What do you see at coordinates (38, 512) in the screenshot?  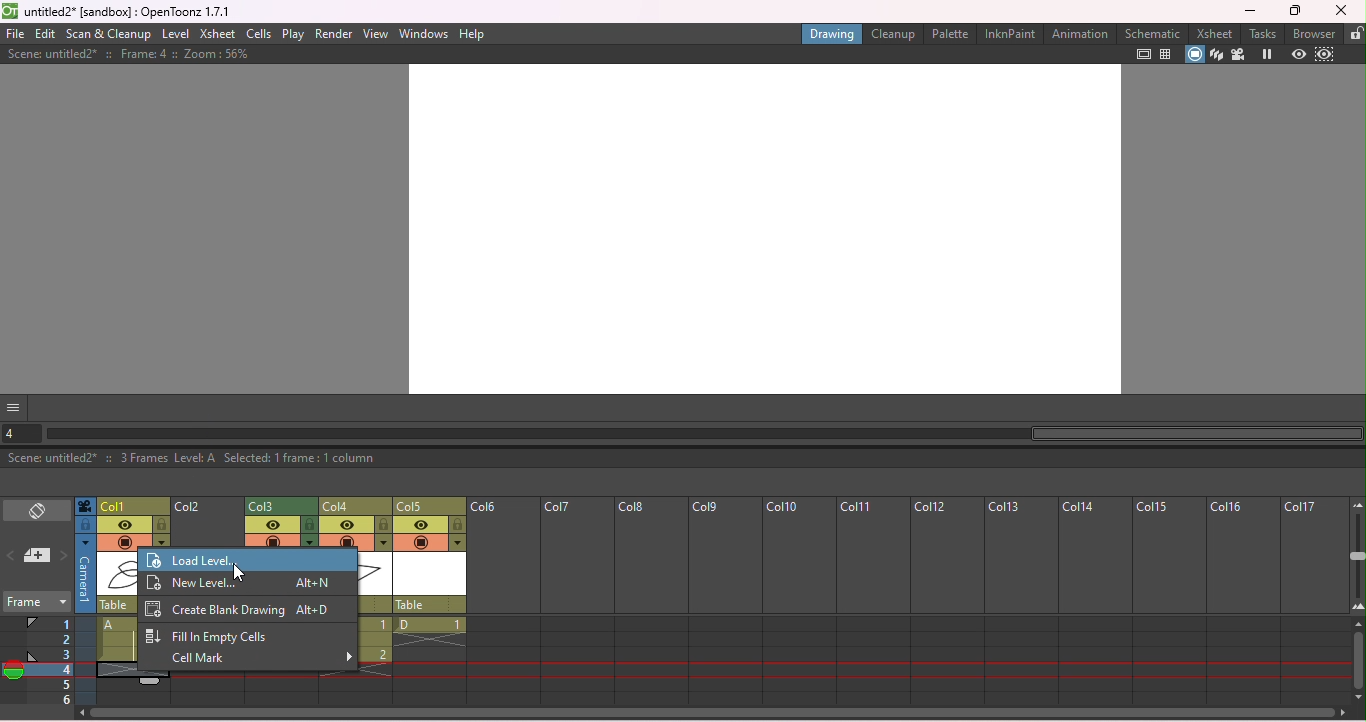 I see `Toggle Xsheet/Timeline` at bounding box center [38, 512].